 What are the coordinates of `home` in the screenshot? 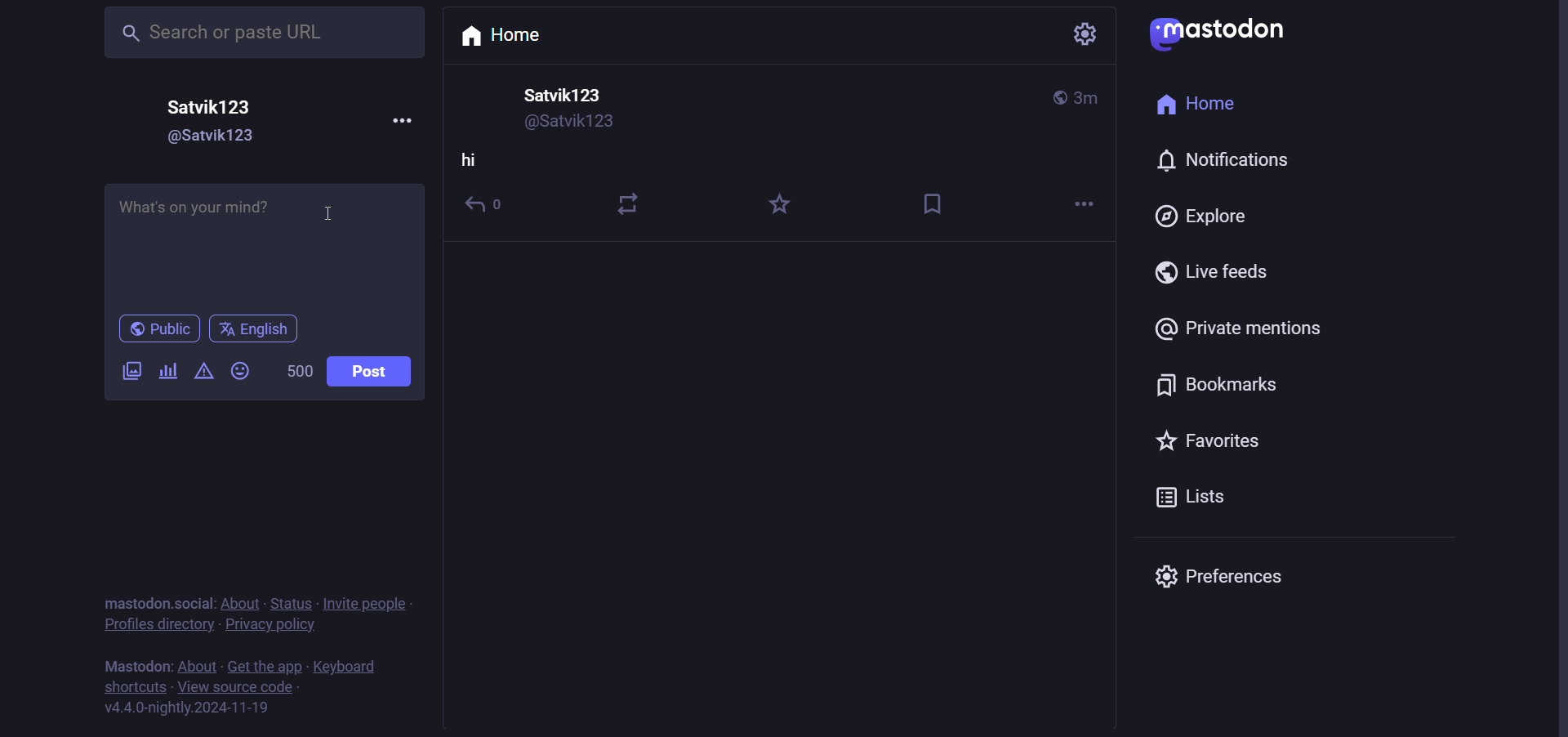 It's located at (1196, 105).